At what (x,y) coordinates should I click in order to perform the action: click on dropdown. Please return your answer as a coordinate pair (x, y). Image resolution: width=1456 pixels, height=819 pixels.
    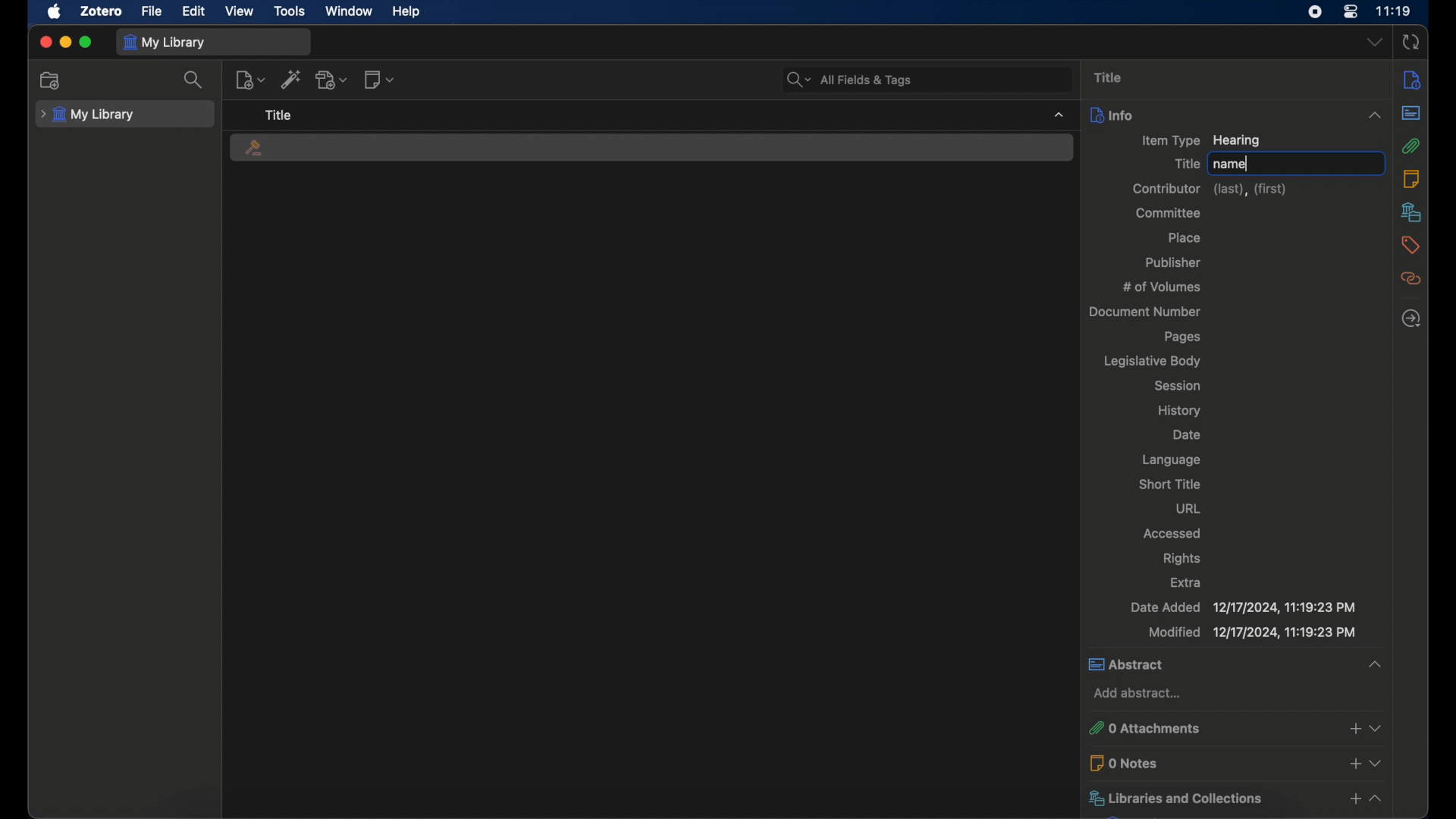
    Looking at the image, I should click on (1375, 42).